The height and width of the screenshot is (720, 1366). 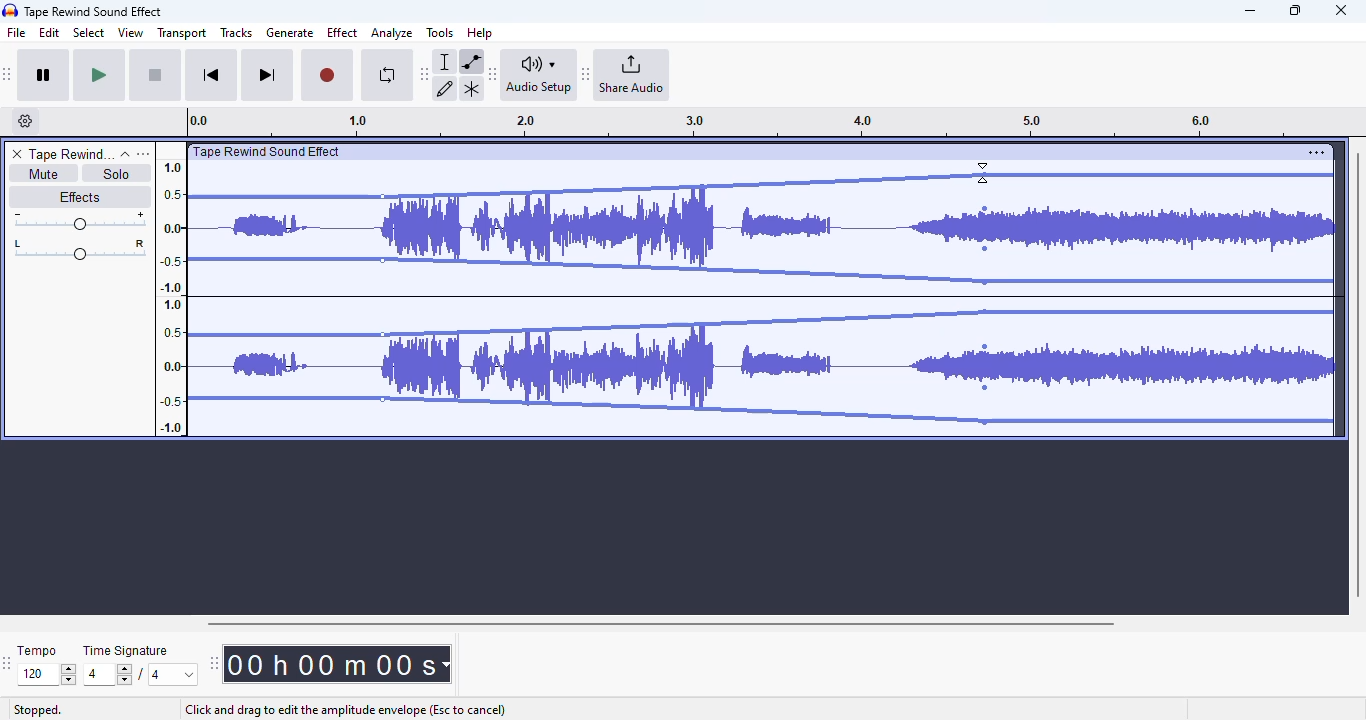 I want to click on effects, so click(x=79, y=196).